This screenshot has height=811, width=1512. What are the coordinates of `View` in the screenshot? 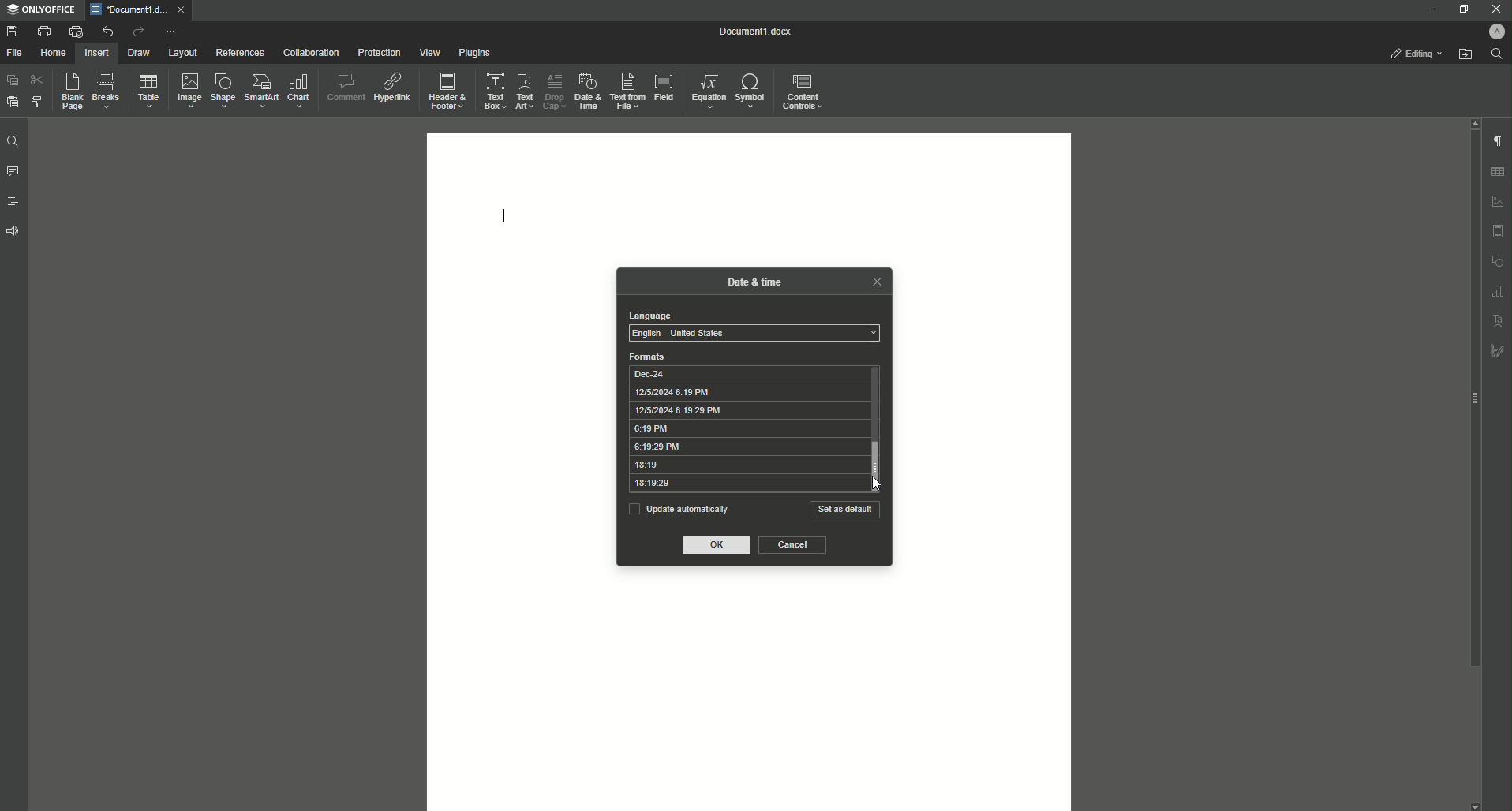 It's located at (425, 52).